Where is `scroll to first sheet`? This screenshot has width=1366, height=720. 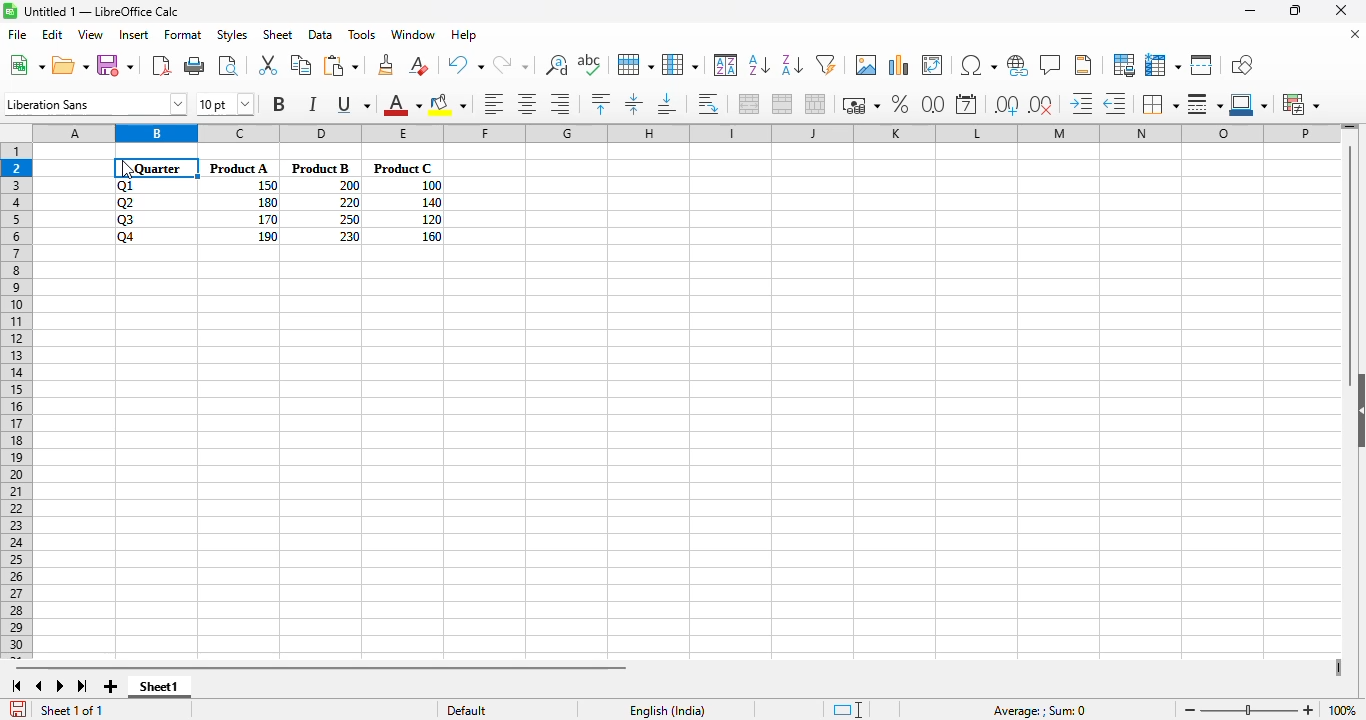
scroll to first sheet is located at coordinates (16, 686).